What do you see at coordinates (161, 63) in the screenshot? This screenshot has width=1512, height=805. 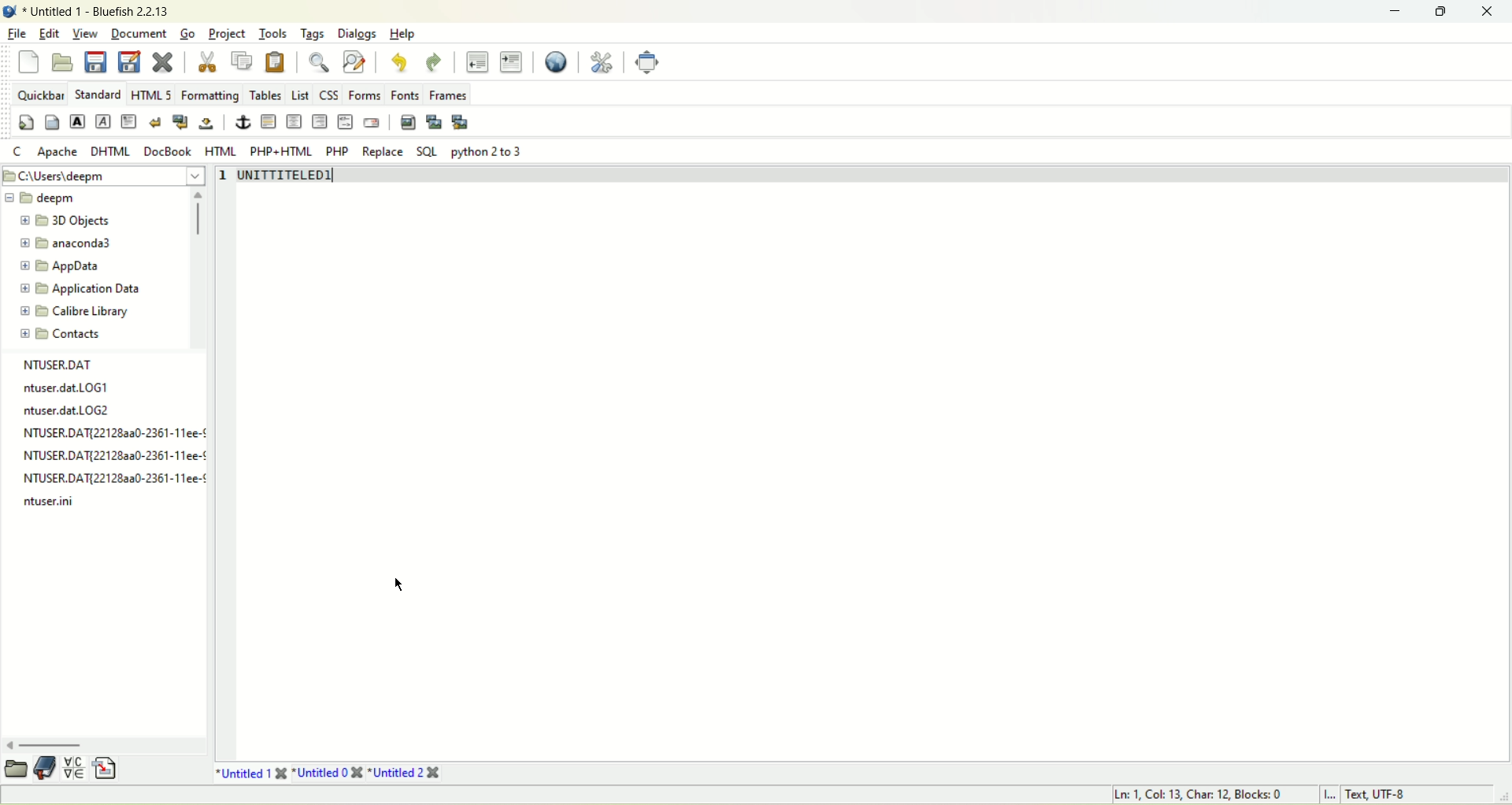 I see `close current file` at bounding box center [161, 63].